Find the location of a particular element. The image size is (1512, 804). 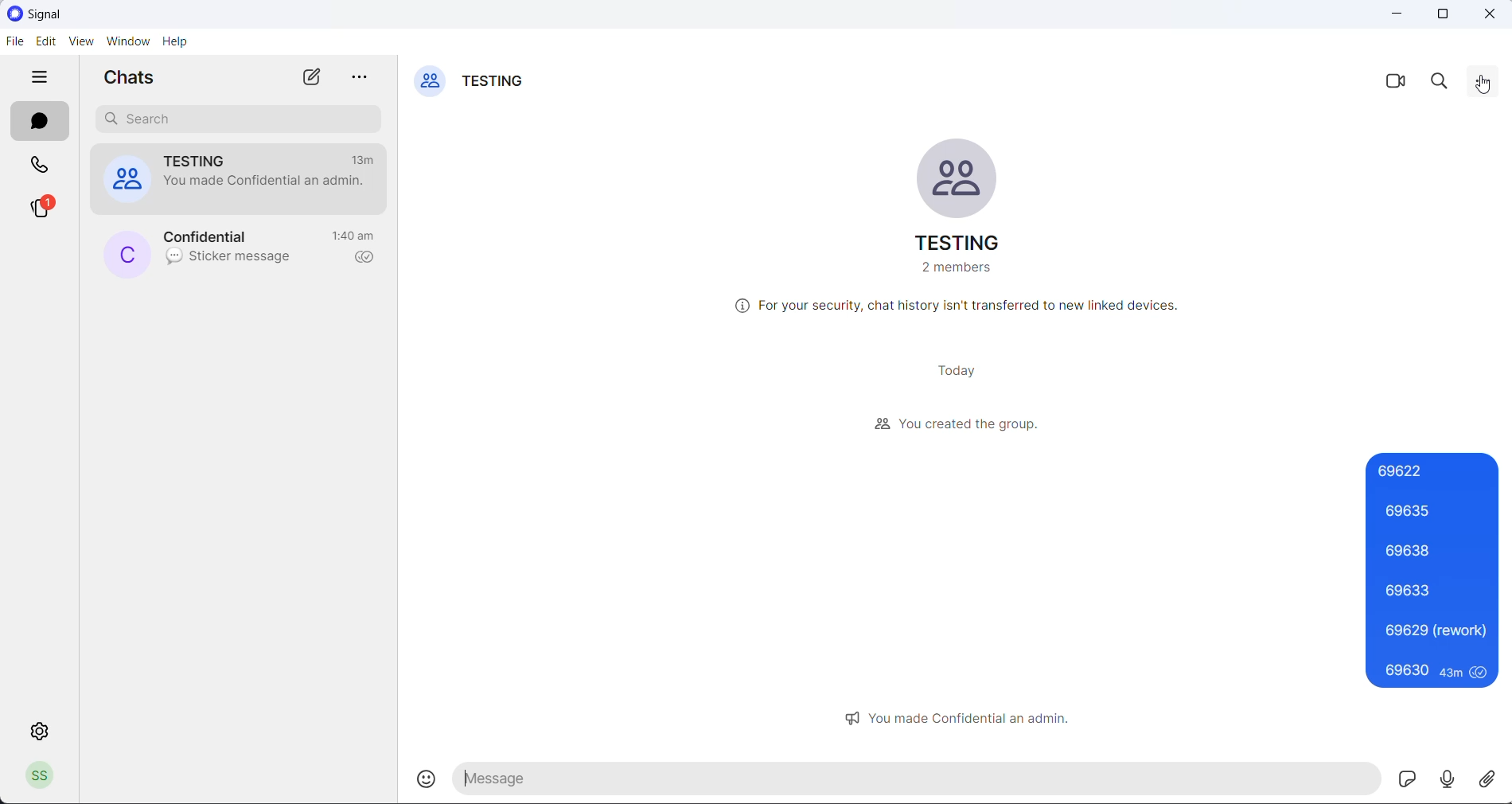

today heading is located at coordinates (956, 372).